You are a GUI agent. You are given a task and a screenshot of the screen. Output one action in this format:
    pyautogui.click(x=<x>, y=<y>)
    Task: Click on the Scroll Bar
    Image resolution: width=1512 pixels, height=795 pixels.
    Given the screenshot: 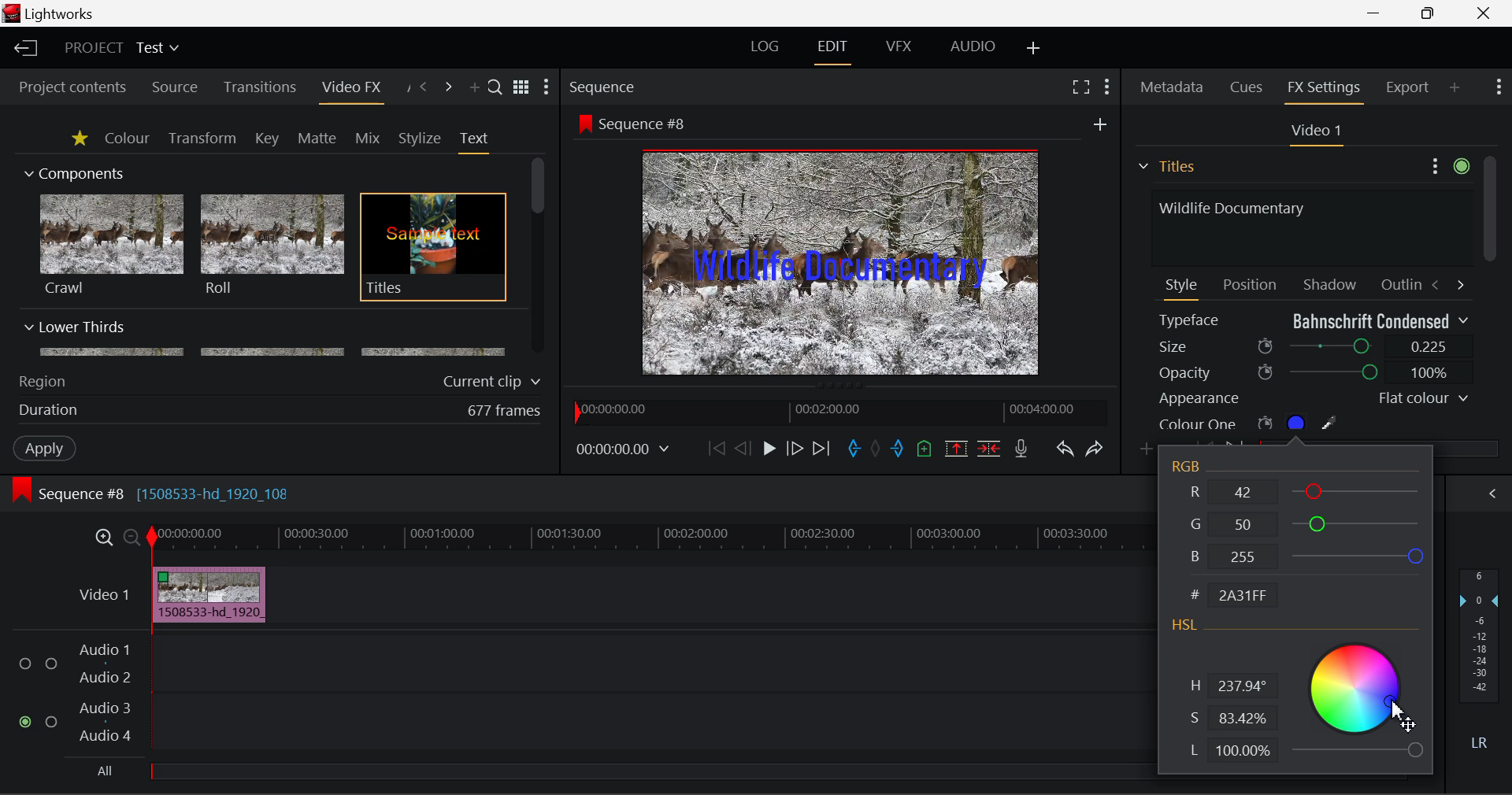 What is the action you would take?
    pyautogui.click(x=539, y=257)
    